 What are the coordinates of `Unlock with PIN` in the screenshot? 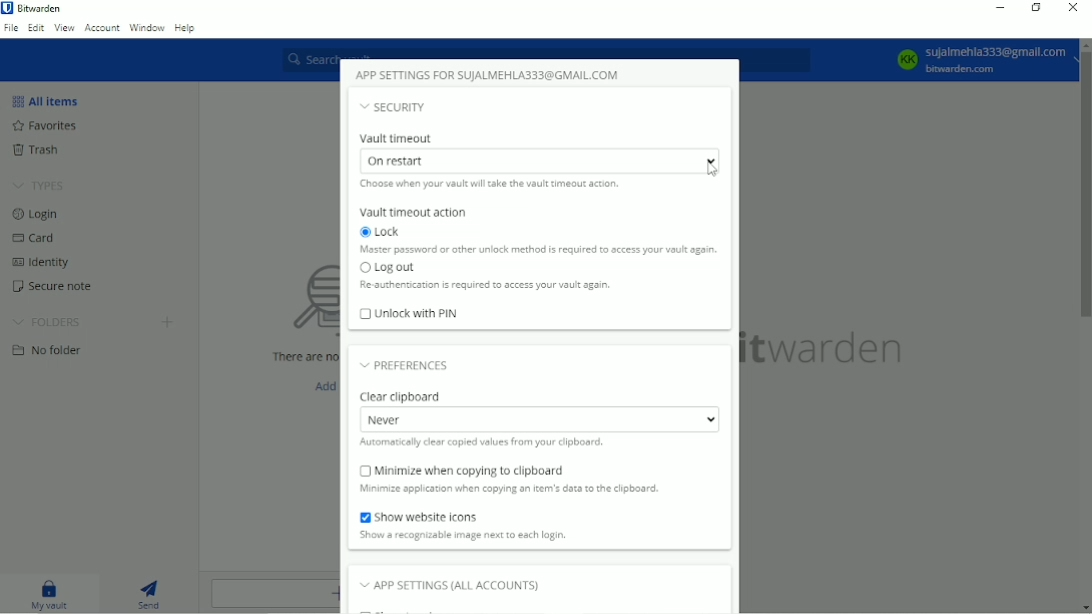 It's located at (409, 315).